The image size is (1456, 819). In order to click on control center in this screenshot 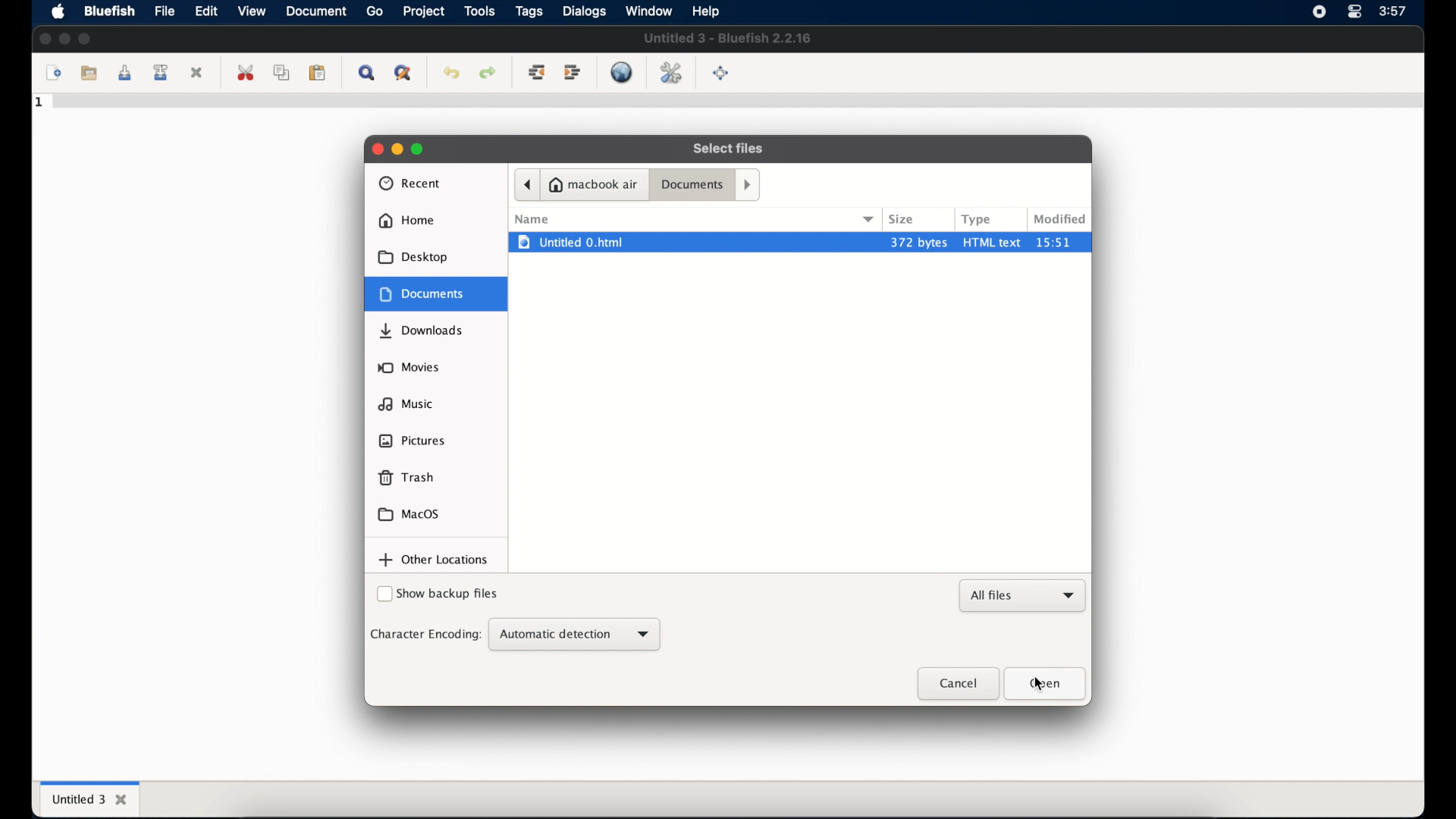, I will do `click(1354, 12)`.